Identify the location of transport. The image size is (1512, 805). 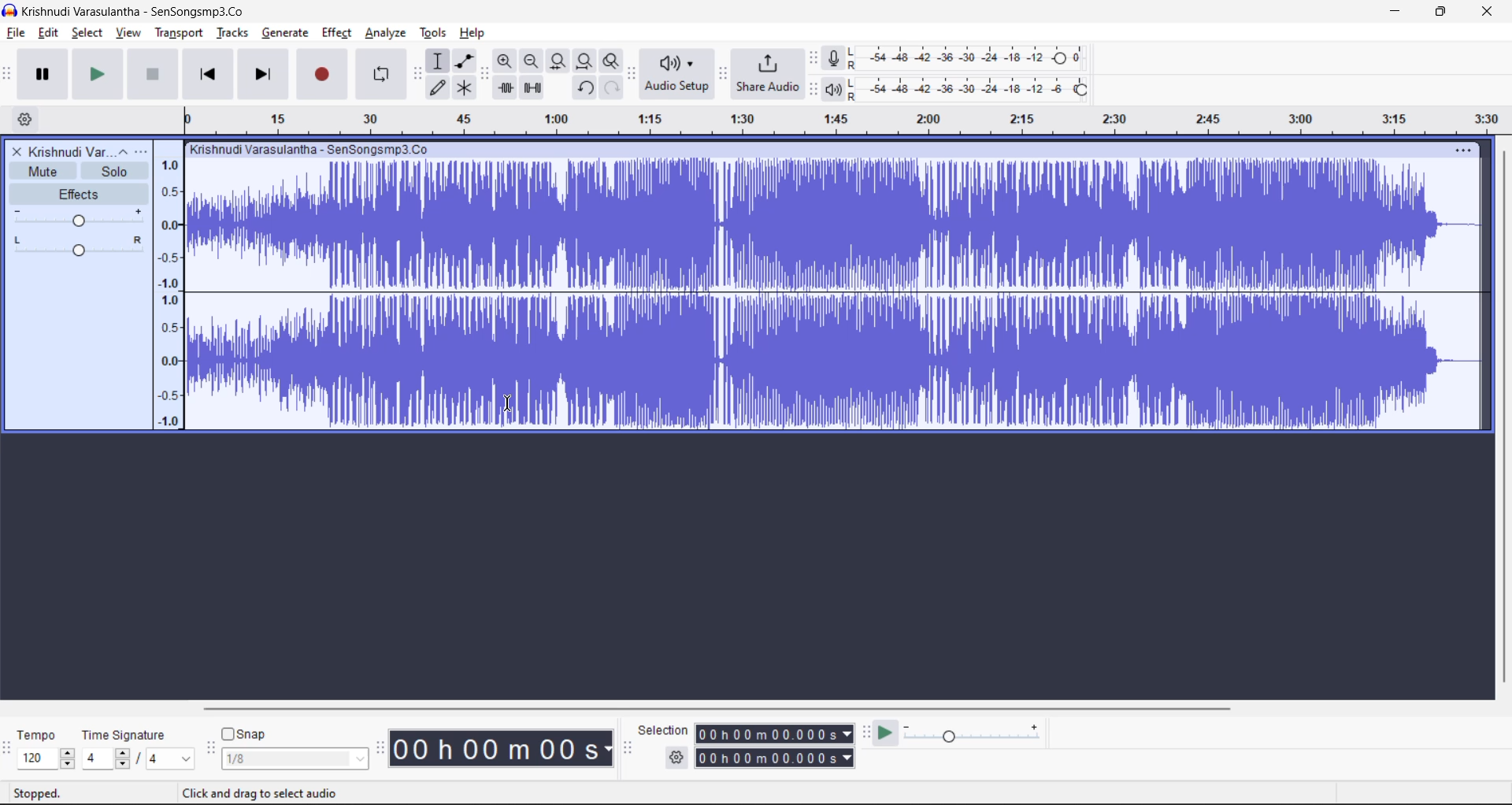
(179, 33).